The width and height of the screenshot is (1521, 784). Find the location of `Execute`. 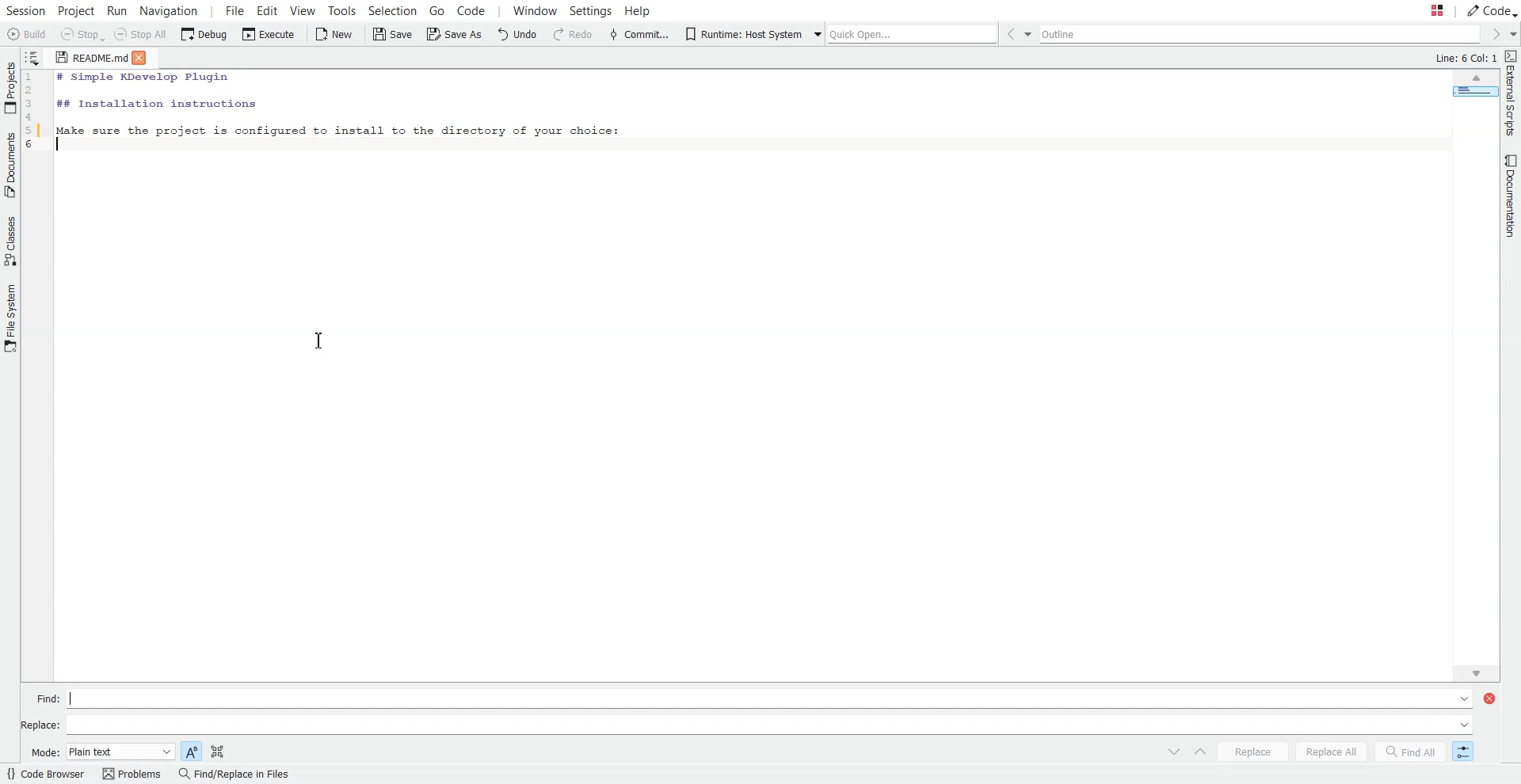

Execute is located at coordinates (266, 35).